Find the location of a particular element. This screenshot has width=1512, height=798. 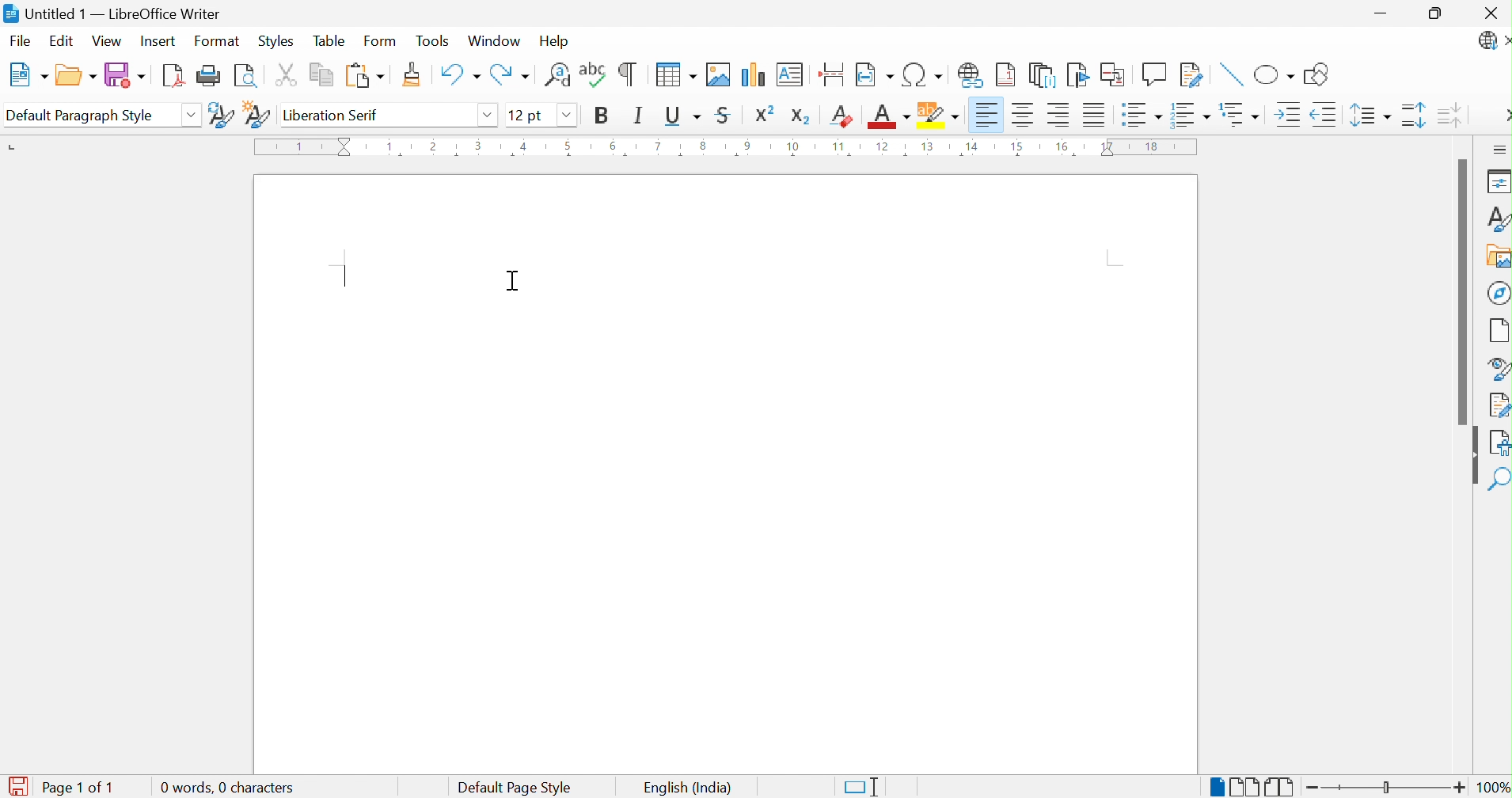

0 words, 0 characters is located at coordinates (227, 788).